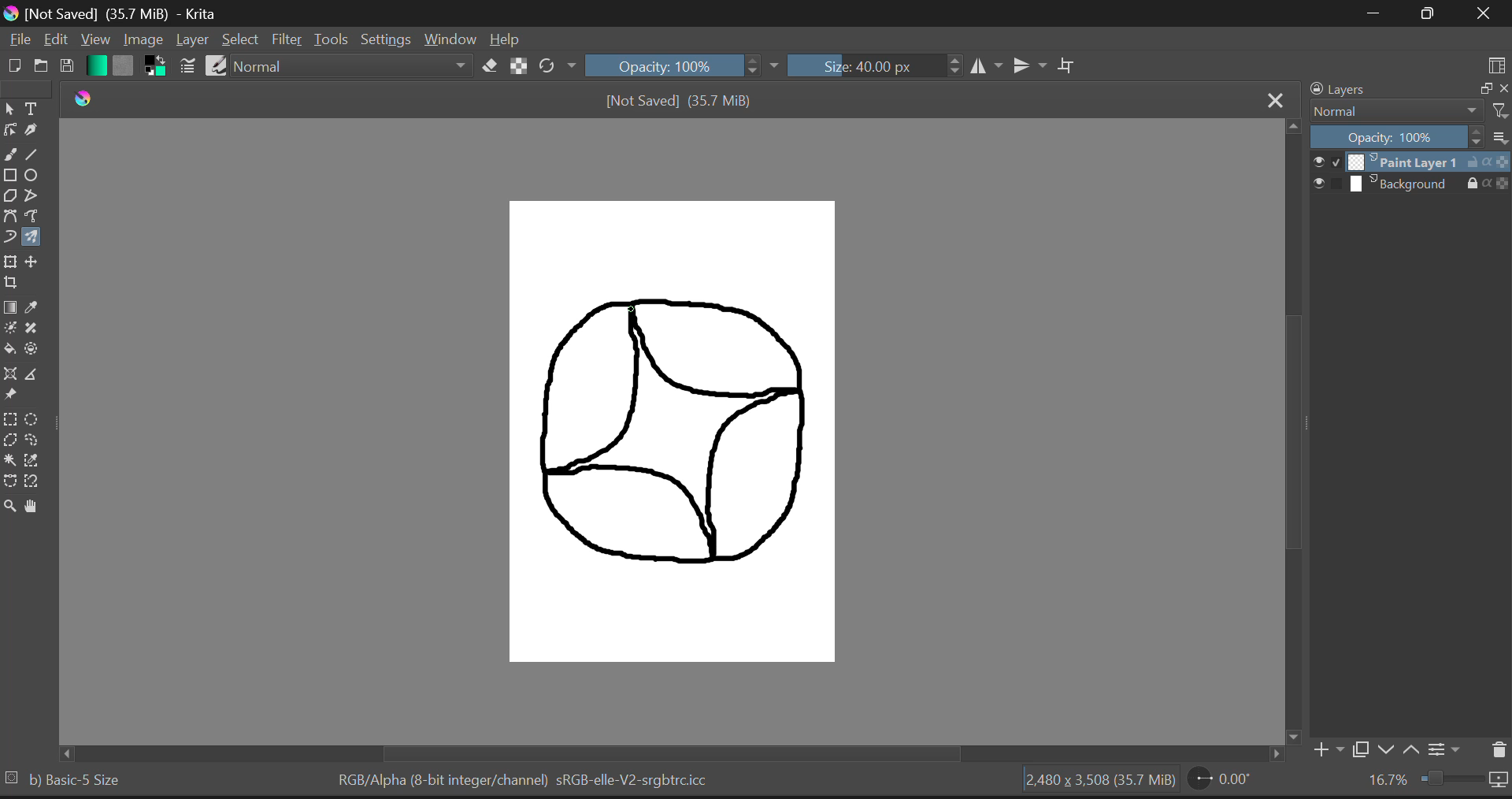 This screenshot has height=799, width=1512. I want to click on Bezier Curve, so click(10, 216).